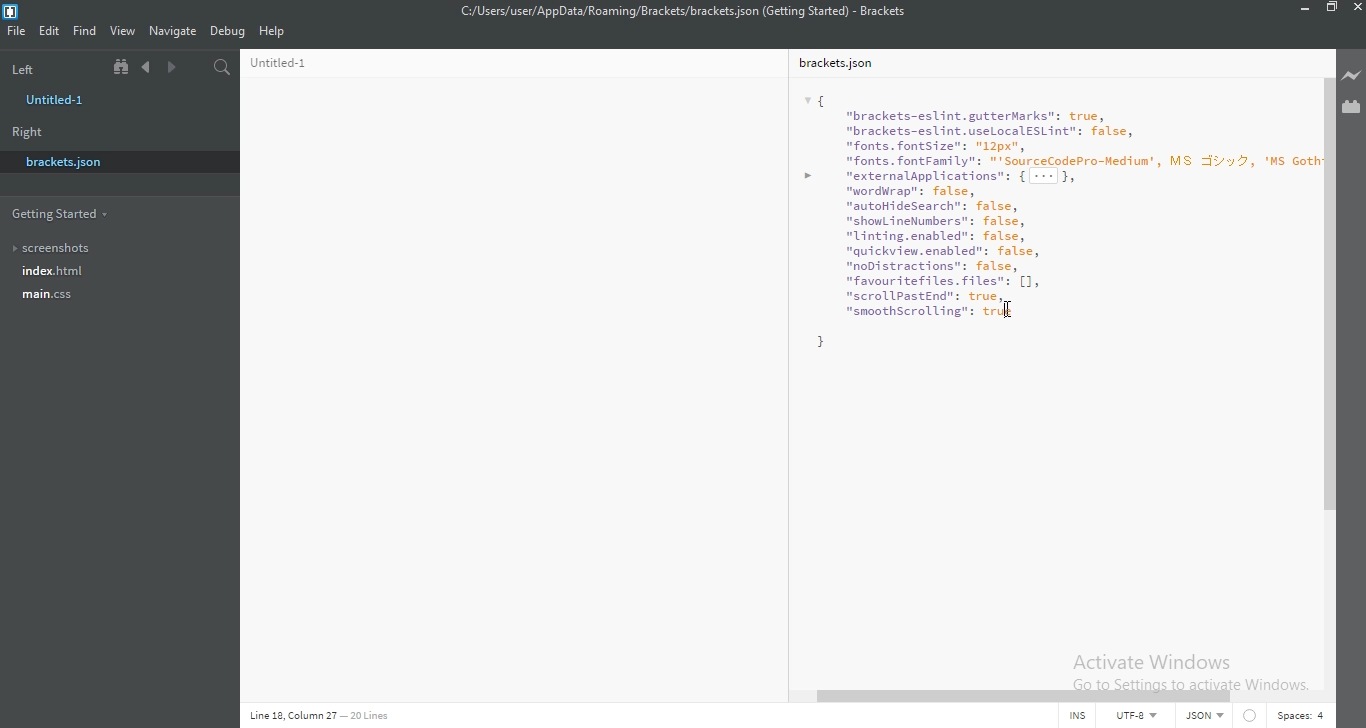  What do you see at coordinates (1141, 718) in the screenshot?
I see ` UTF-8` at bounding box center [1141, 718].